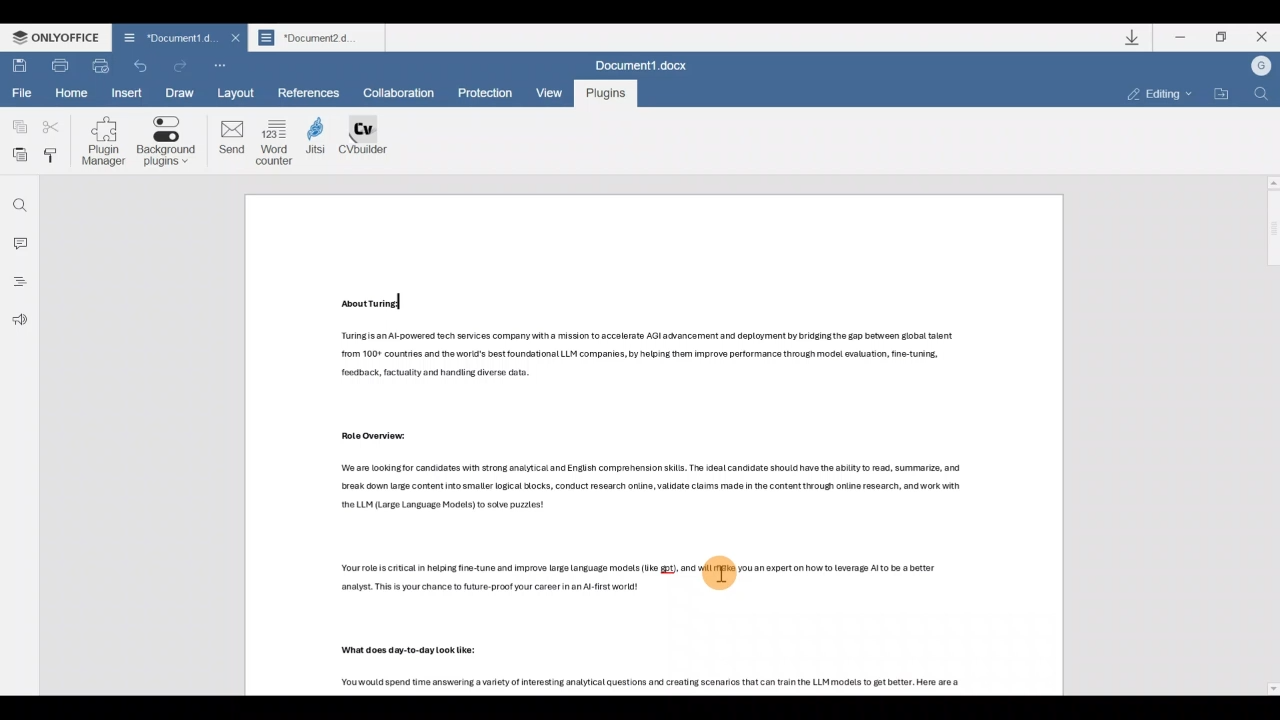 The image size is (1280, 720). I want to click on Copy style, so click(54, 157).